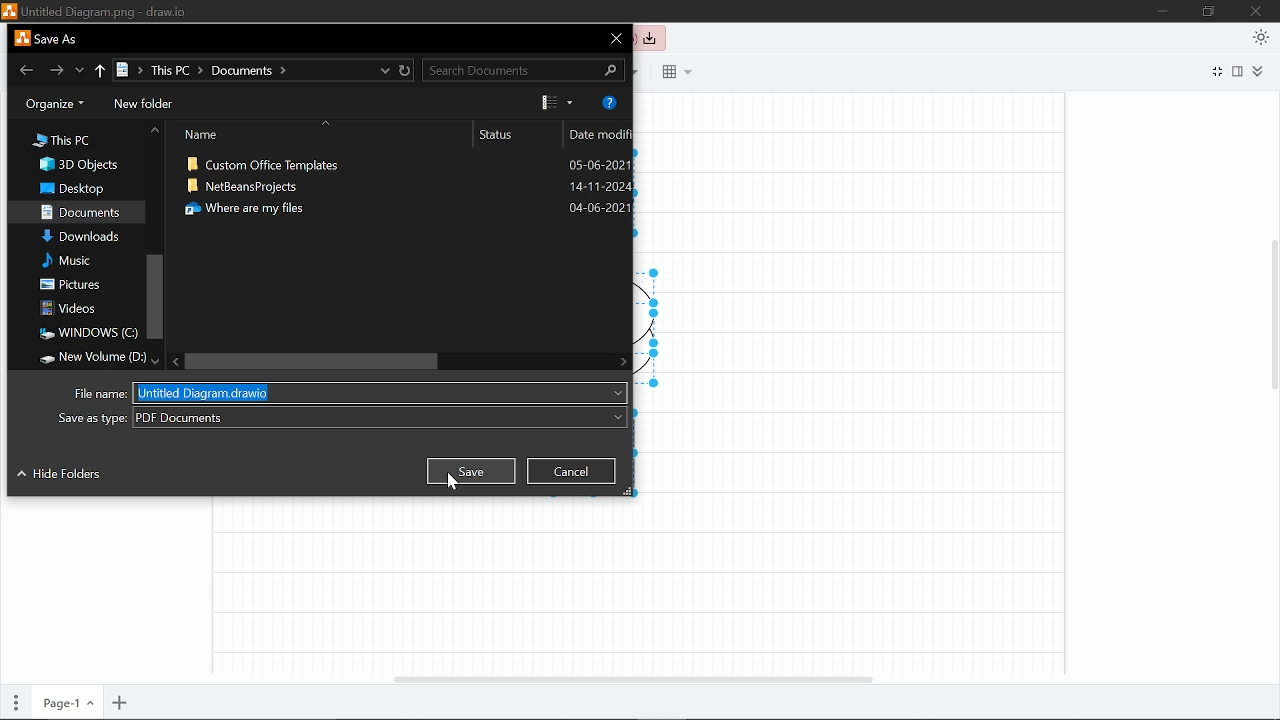  What do you see at coordinates (49, 40) in the screenshot?
I see `Save as window` at bounding box center [49, 40].